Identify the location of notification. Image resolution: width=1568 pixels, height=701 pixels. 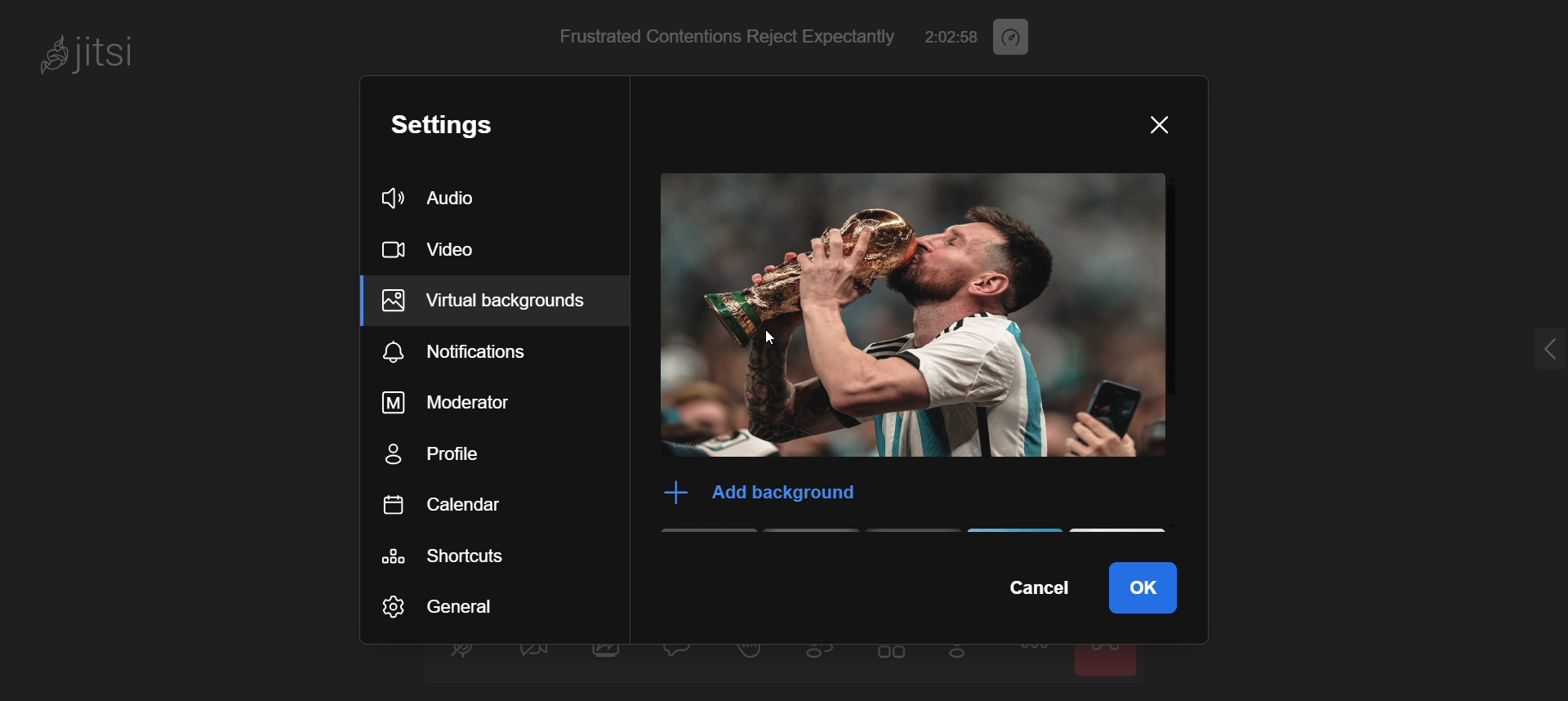
(493, 350).